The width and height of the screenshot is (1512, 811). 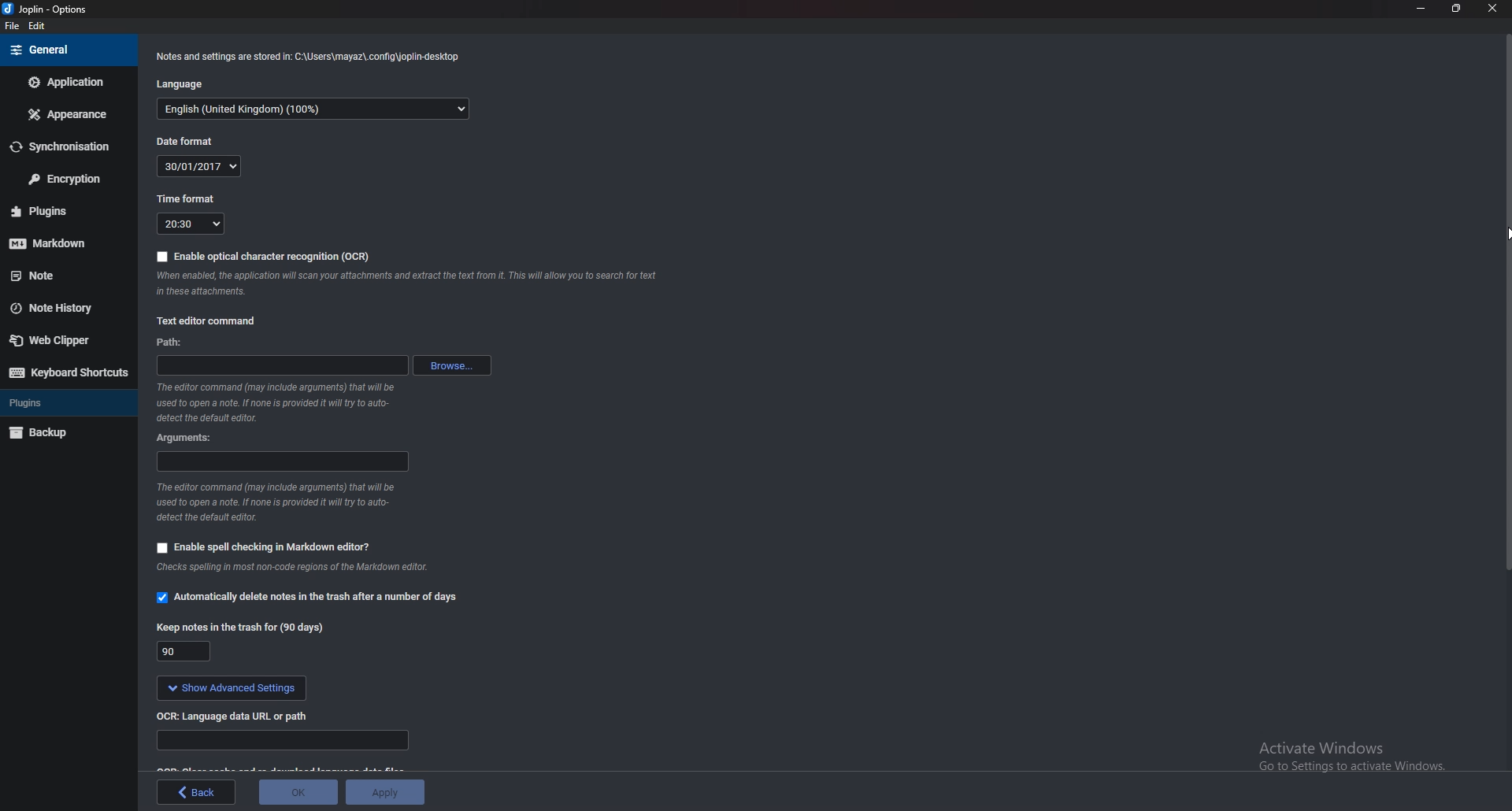 What do you see at coordinates (69, 434) in the screenshot?
I see `Back up` at bounding box center [69, 434].